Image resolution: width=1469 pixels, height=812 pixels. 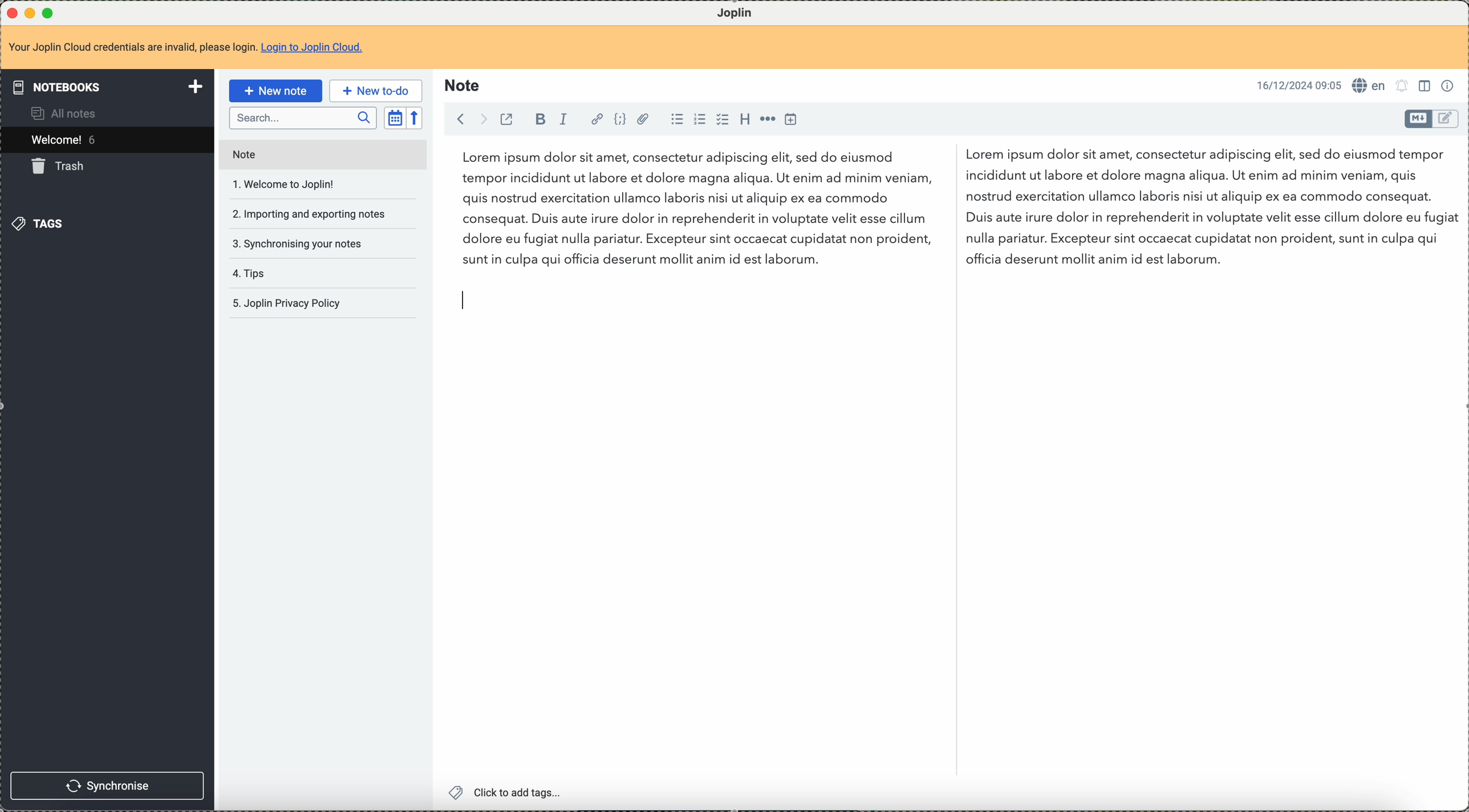 I want to click on checkbox, so click(x=721, y=119).